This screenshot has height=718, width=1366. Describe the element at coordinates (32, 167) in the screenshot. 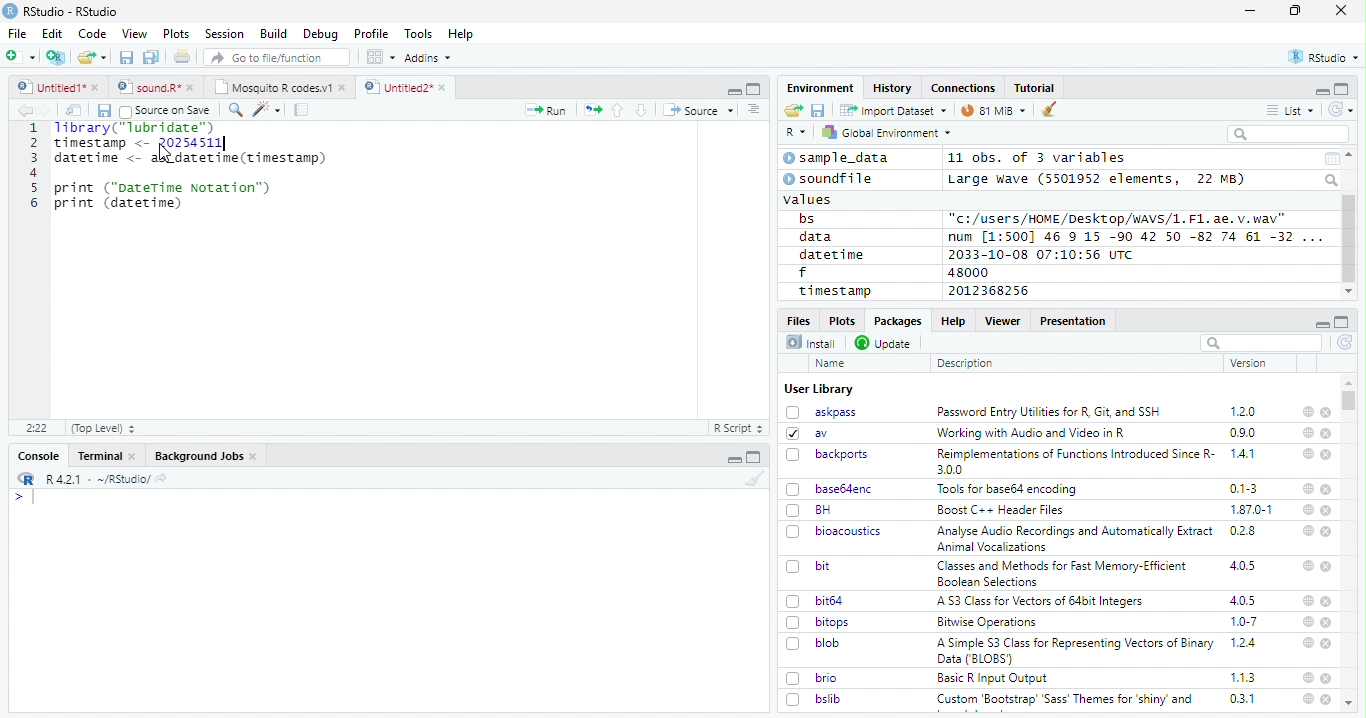

I see `Numbering line` at that location.